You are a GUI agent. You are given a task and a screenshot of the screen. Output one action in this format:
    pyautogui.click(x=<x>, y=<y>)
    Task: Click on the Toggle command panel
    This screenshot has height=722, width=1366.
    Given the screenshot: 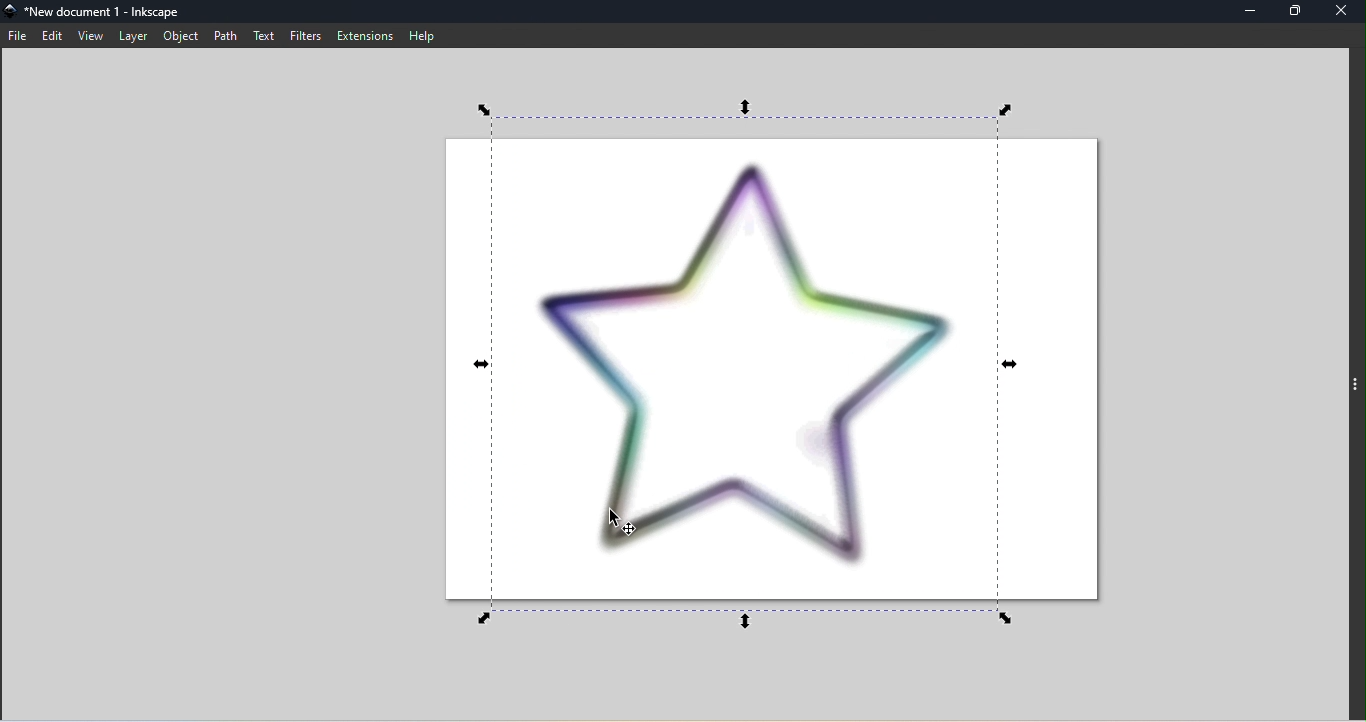 What is the action you would take?
    pyautogui.click(x=1357, y=387)
    